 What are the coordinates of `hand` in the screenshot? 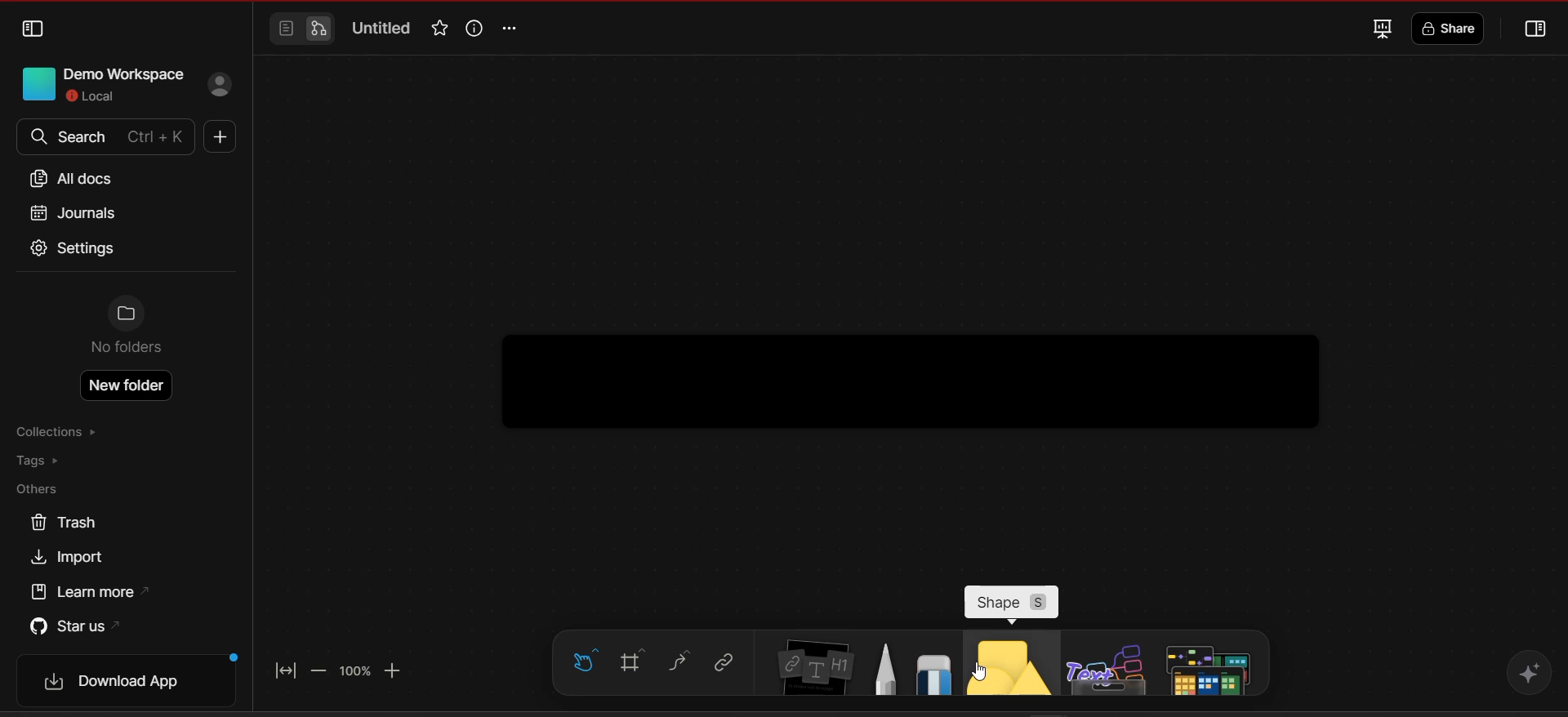 It's located at (581, 664).